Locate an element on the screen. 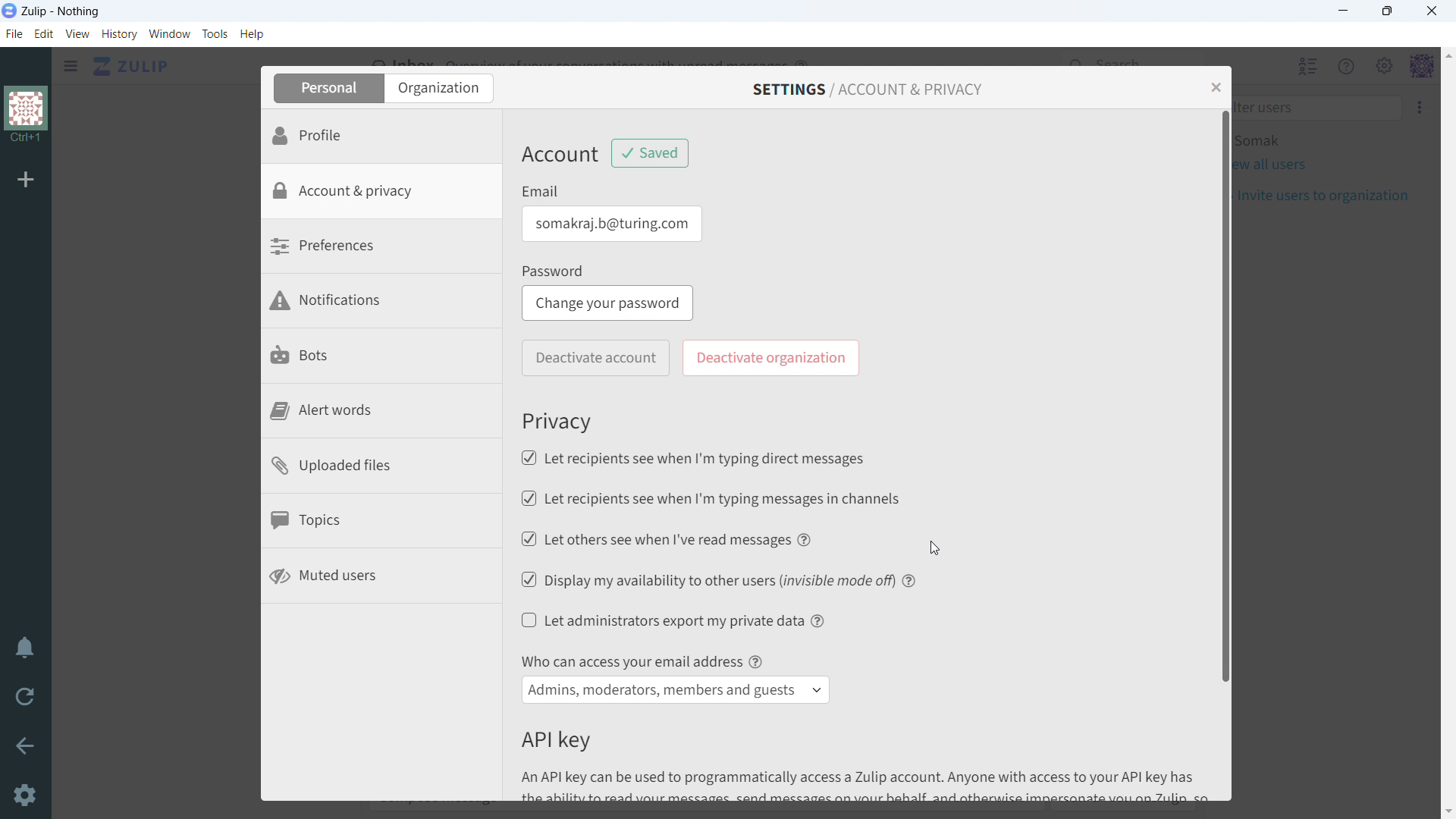  help is located at coordinates (805, 539).